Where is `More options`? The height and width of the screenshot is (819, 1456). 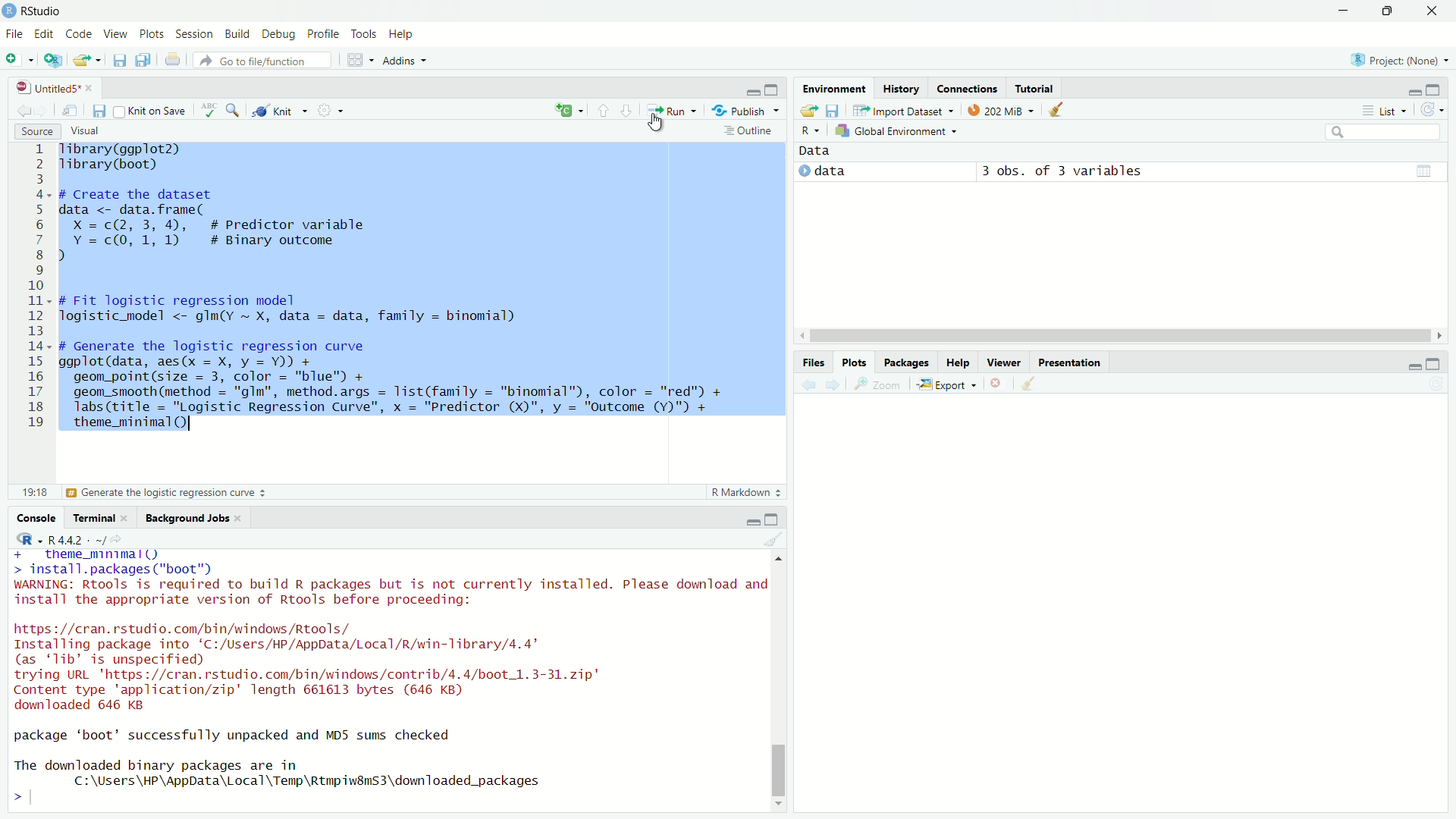
More options is located at coordinates (331, 109).